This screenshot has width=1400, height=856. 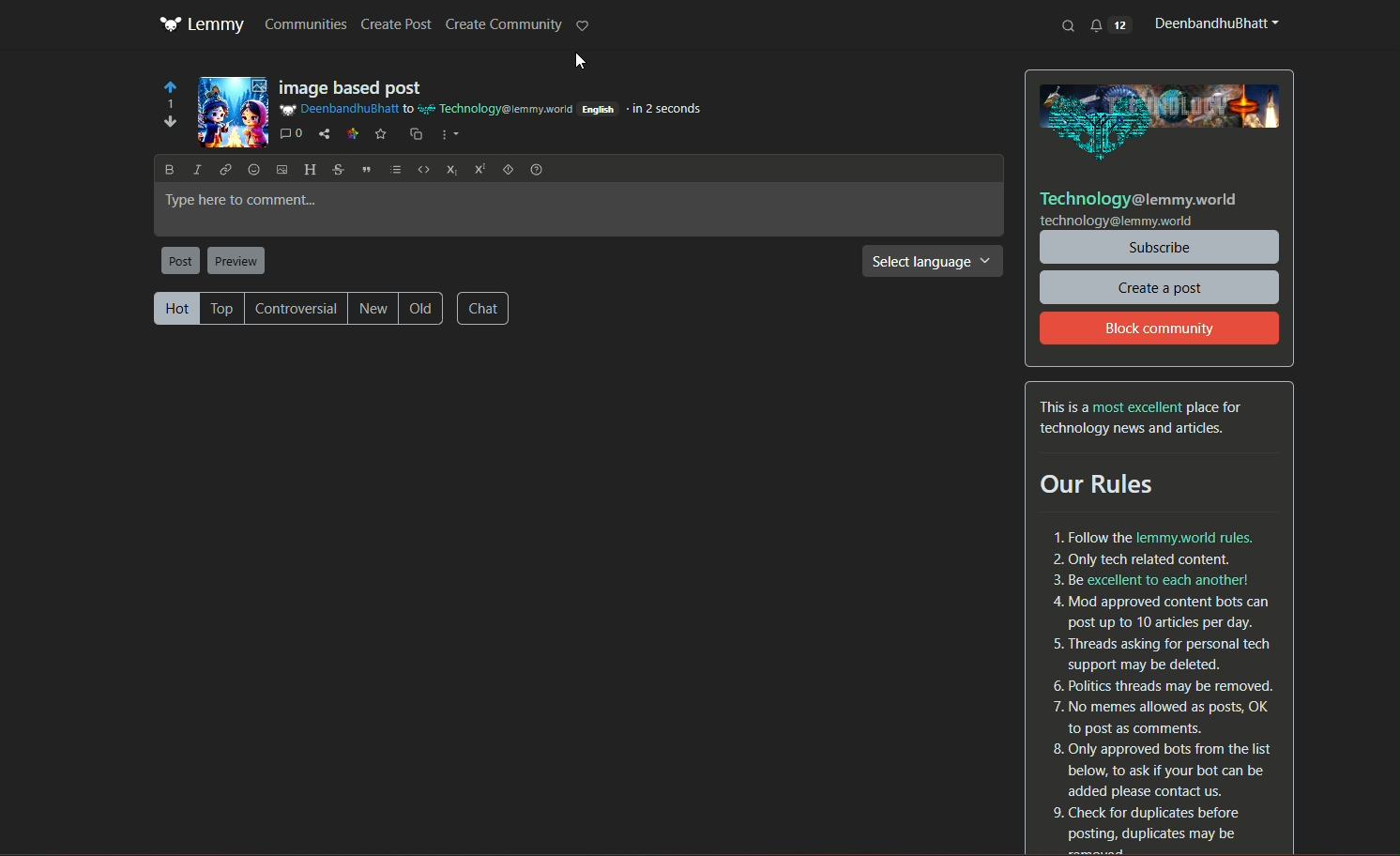 I want to click on bold, so click(x=170, y=171).